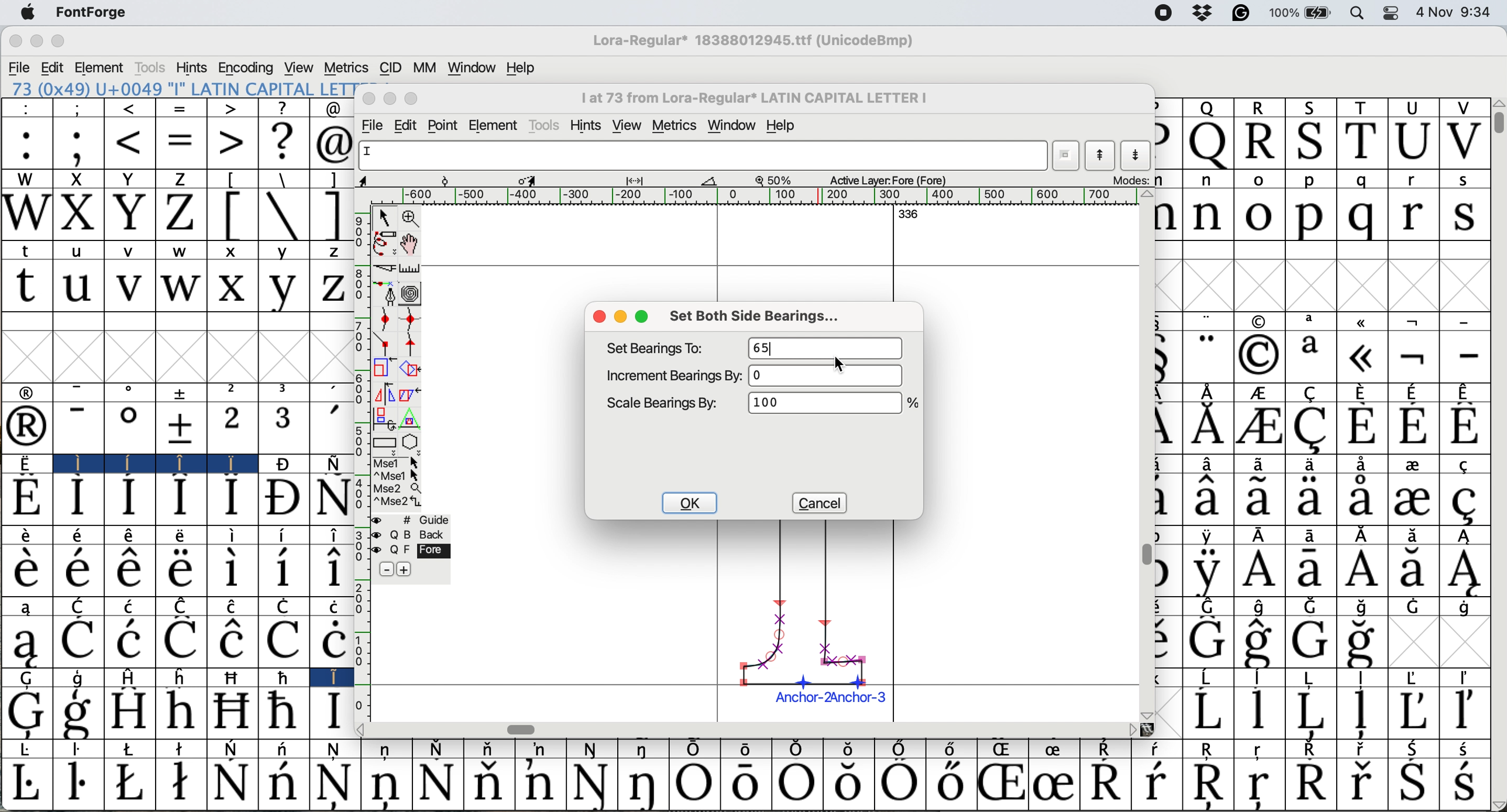  What do you see at coordinates (1360, 180) in the screenshot?
I see `q` at bounding box center [1360, 180].